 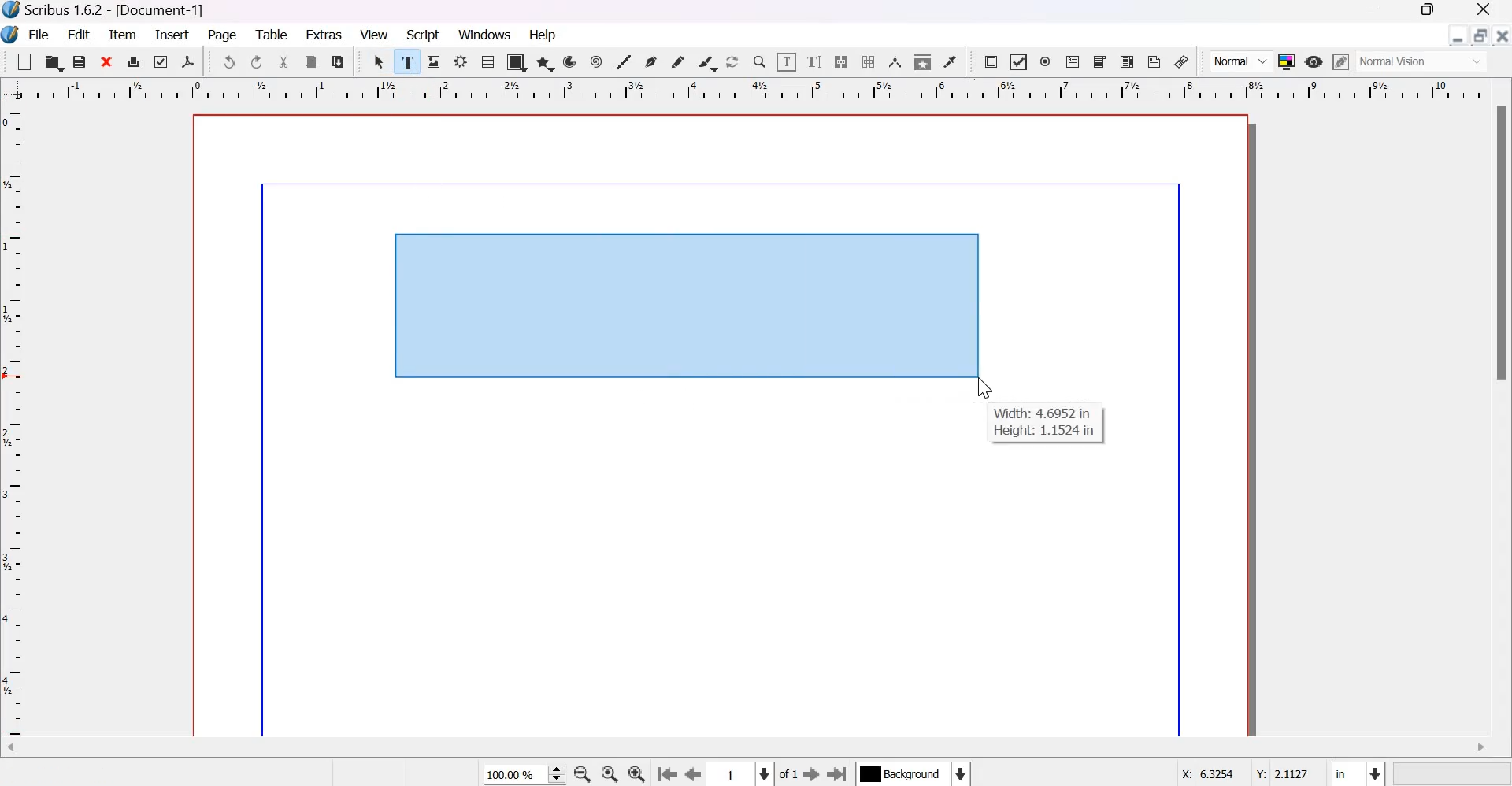 I want to click on Calligraphic line, so click(x=707, y=61).